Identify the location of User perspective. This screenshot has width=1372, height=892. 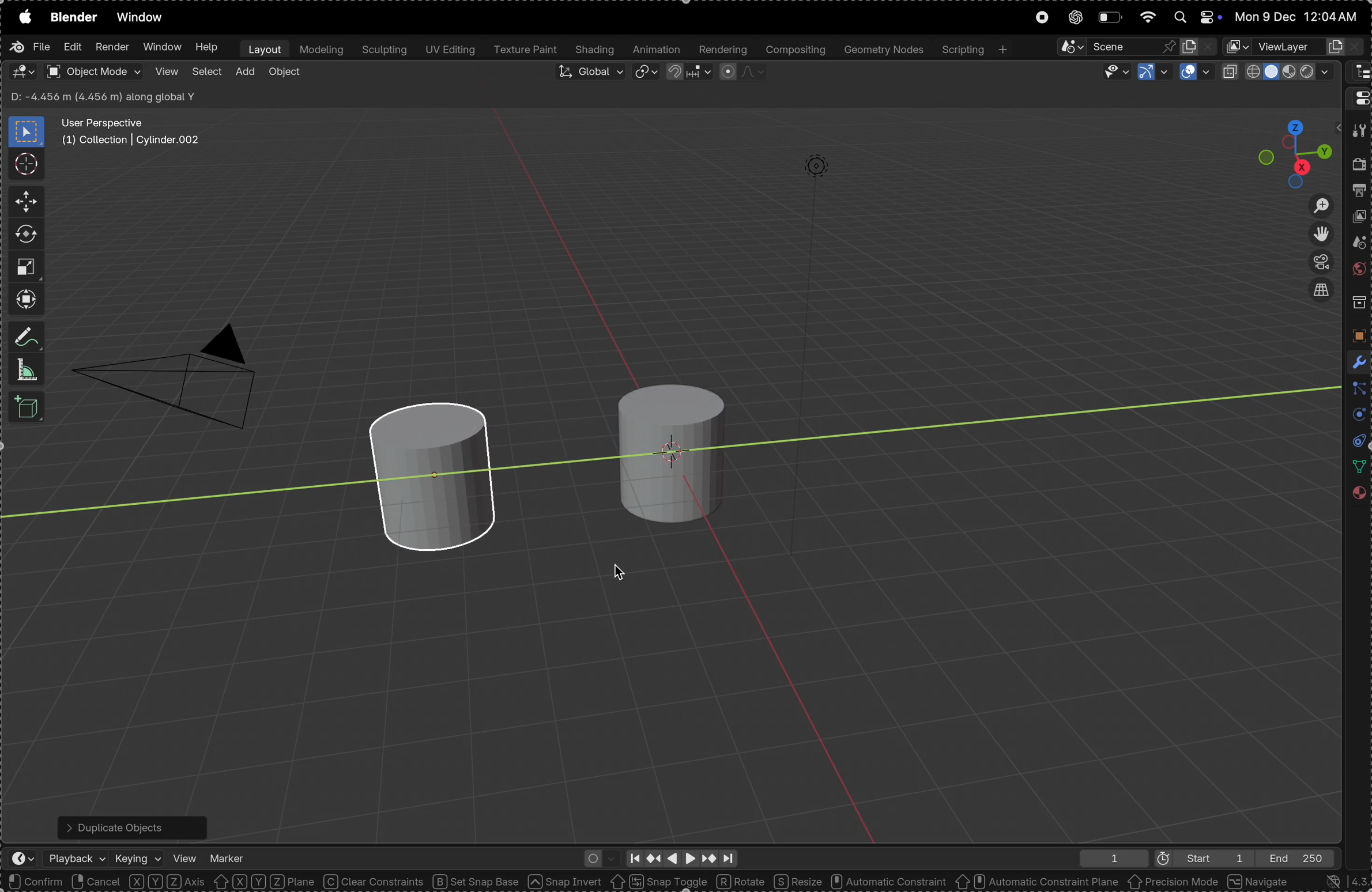
(133, 132).